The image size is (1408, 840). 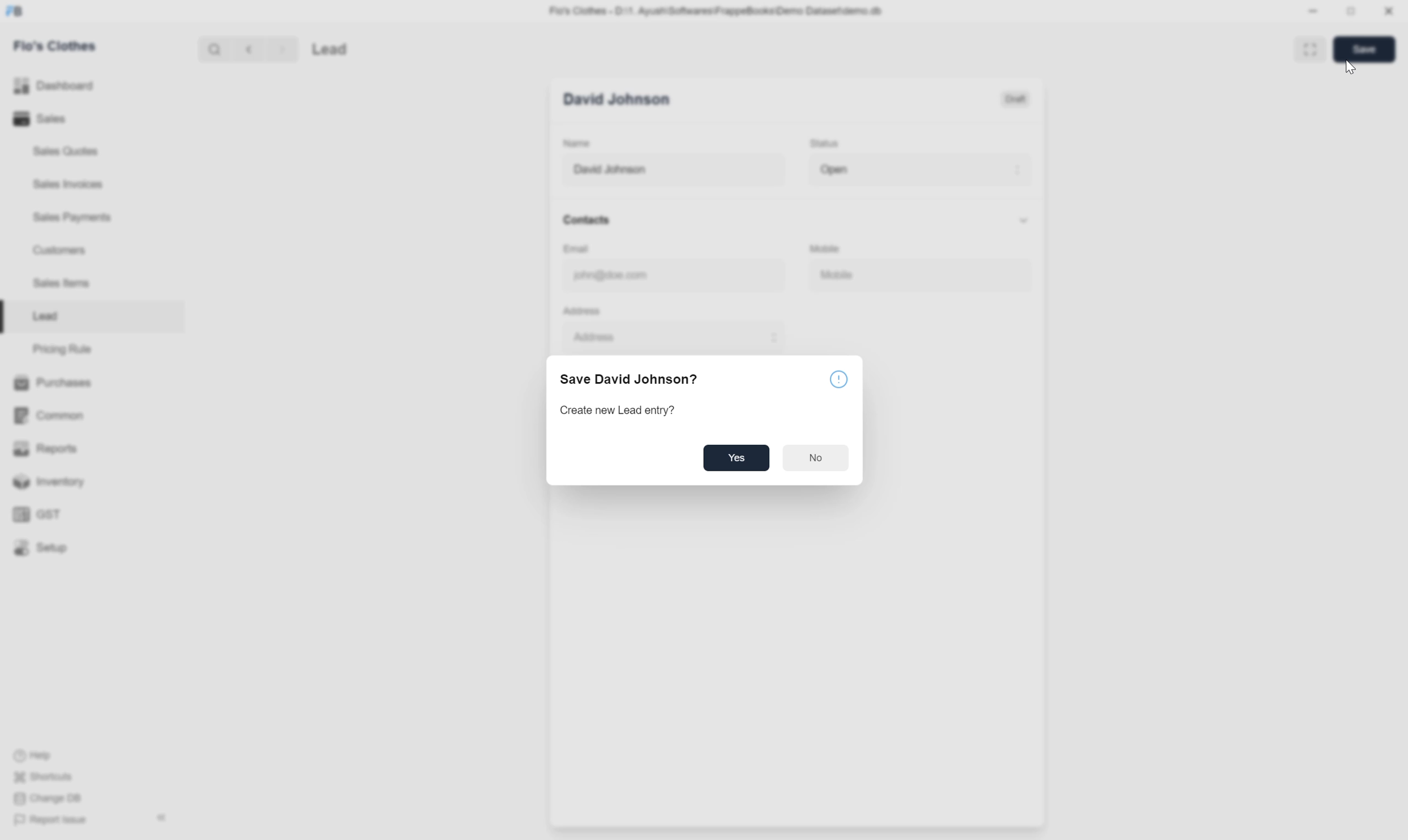 What do you see at coordinates (45, 316) in the screenshot?
I see `Lead` at bounding box center [45, 316].